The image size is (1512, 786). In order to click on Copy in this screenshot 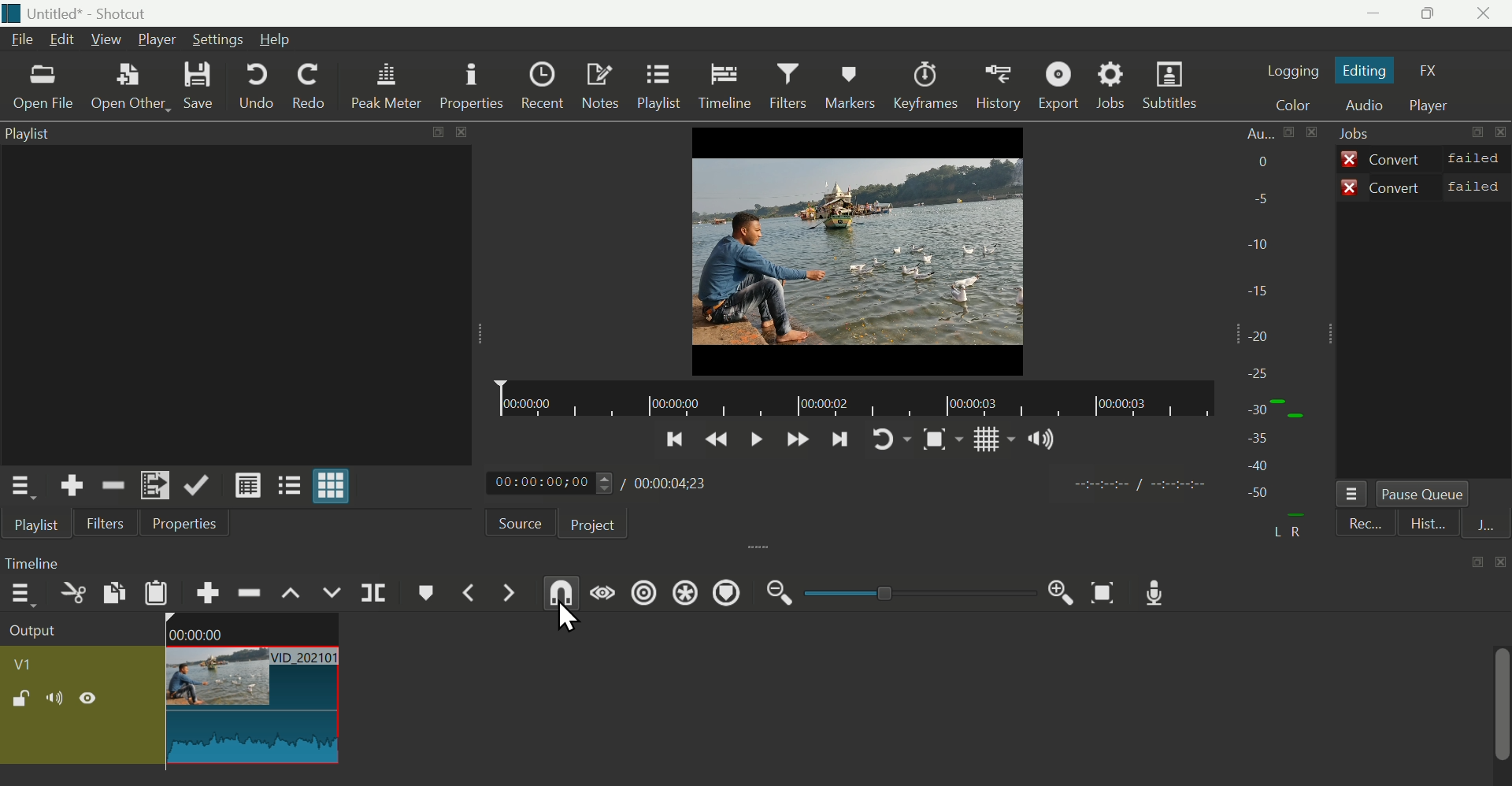, I will do `click(111, 595)`.